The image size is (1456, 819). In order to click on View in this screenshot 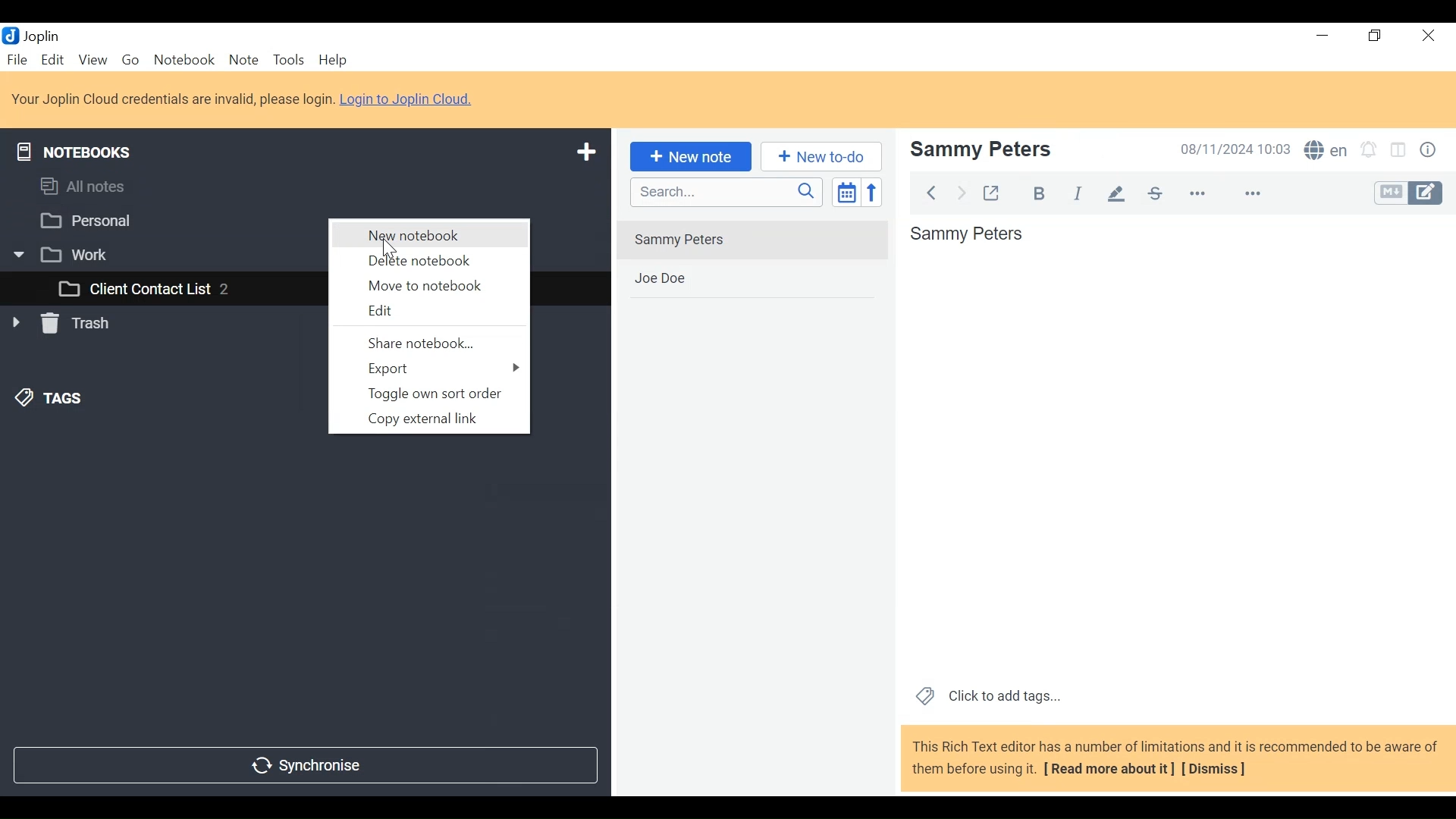, I will do `click(93, 61)`.